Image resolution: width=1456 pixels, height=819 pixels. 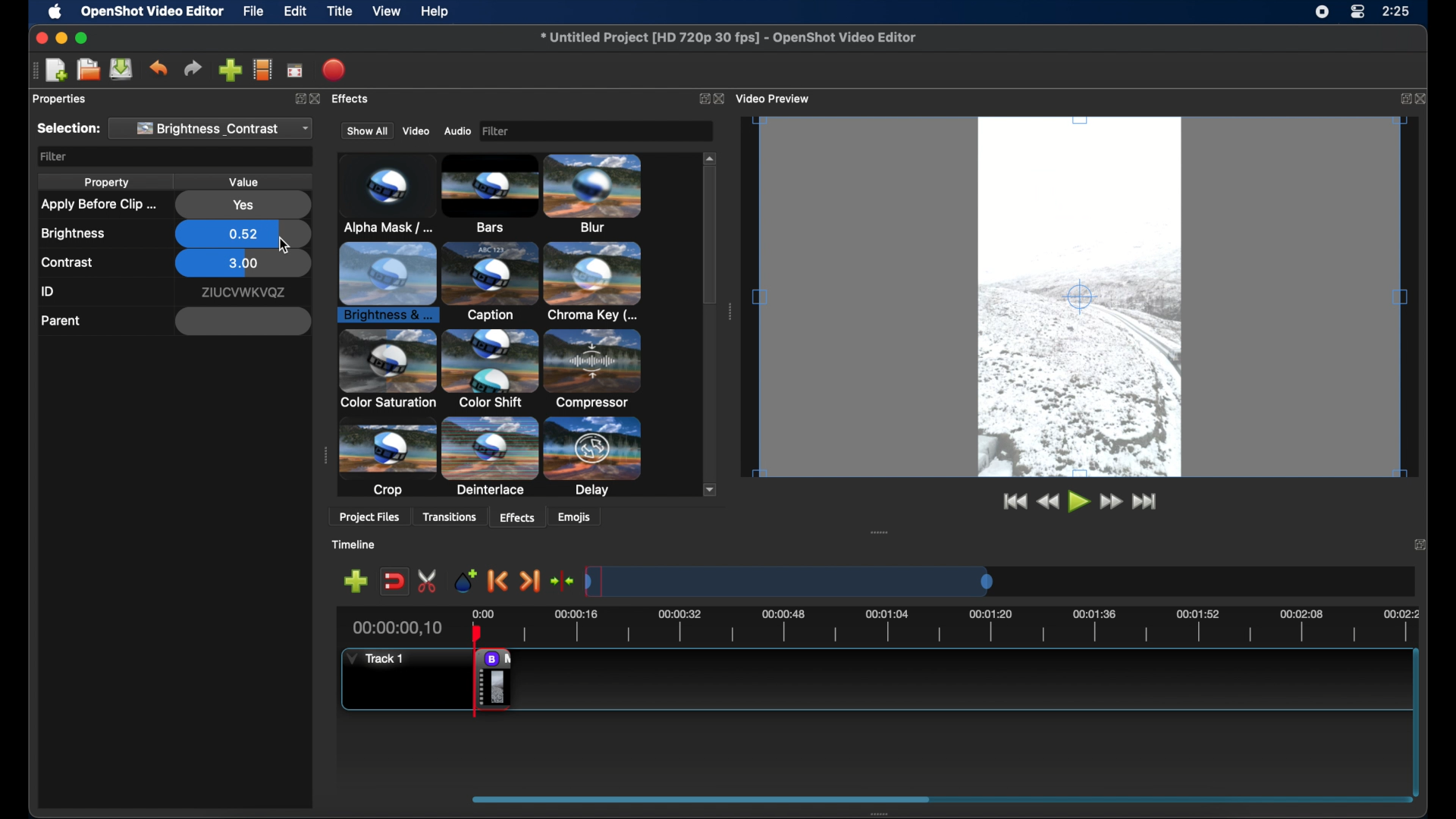 What do you see at coordinates (193, 68) in the screenshot?
I see `redo` at bounding box center [193, 68].